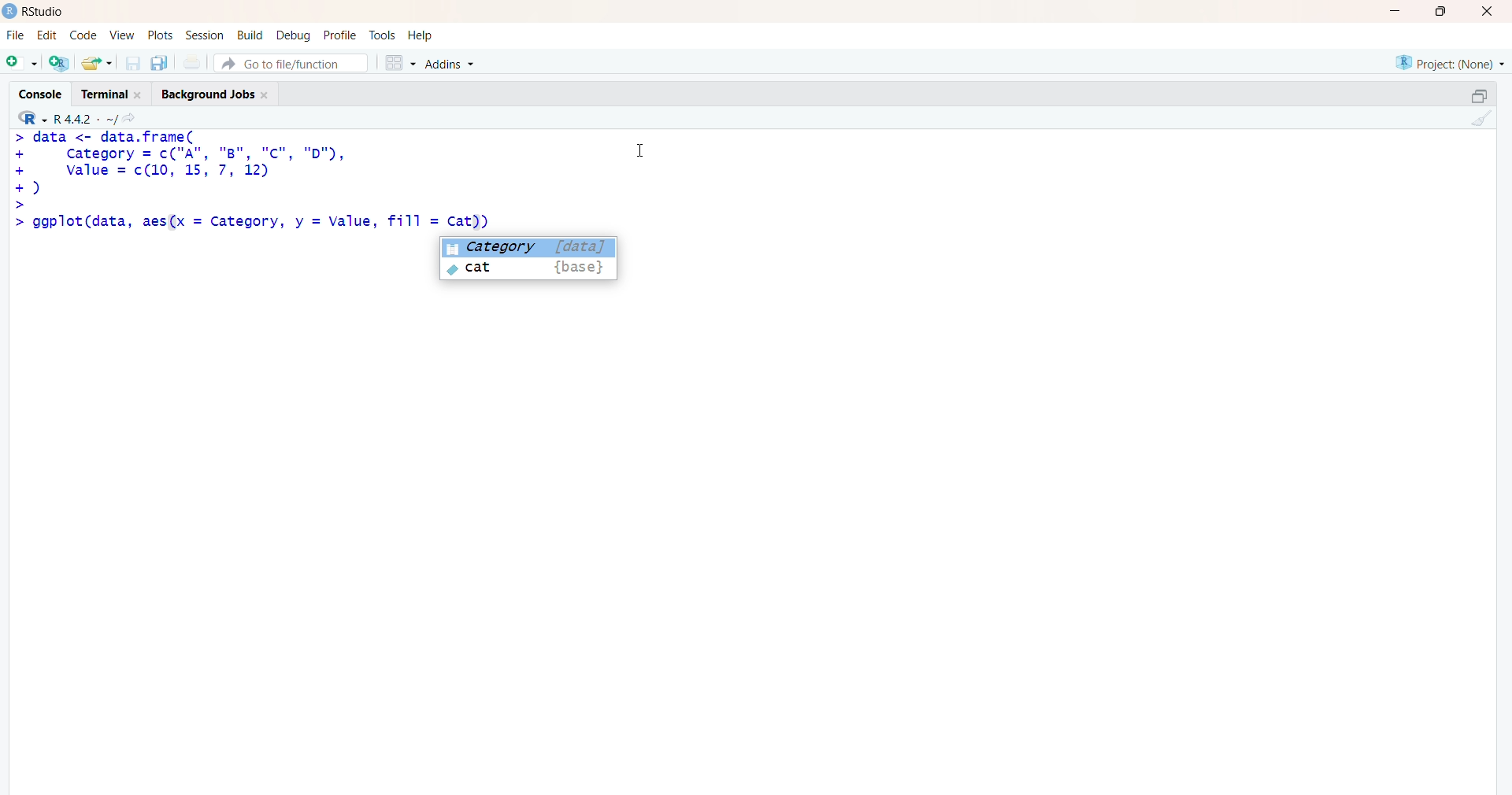 This screenshot has height=795, width=1512. What do you see at coordinates (132, 63) in the screenshot?
I see `save current document` at bounding box center [132, 63].